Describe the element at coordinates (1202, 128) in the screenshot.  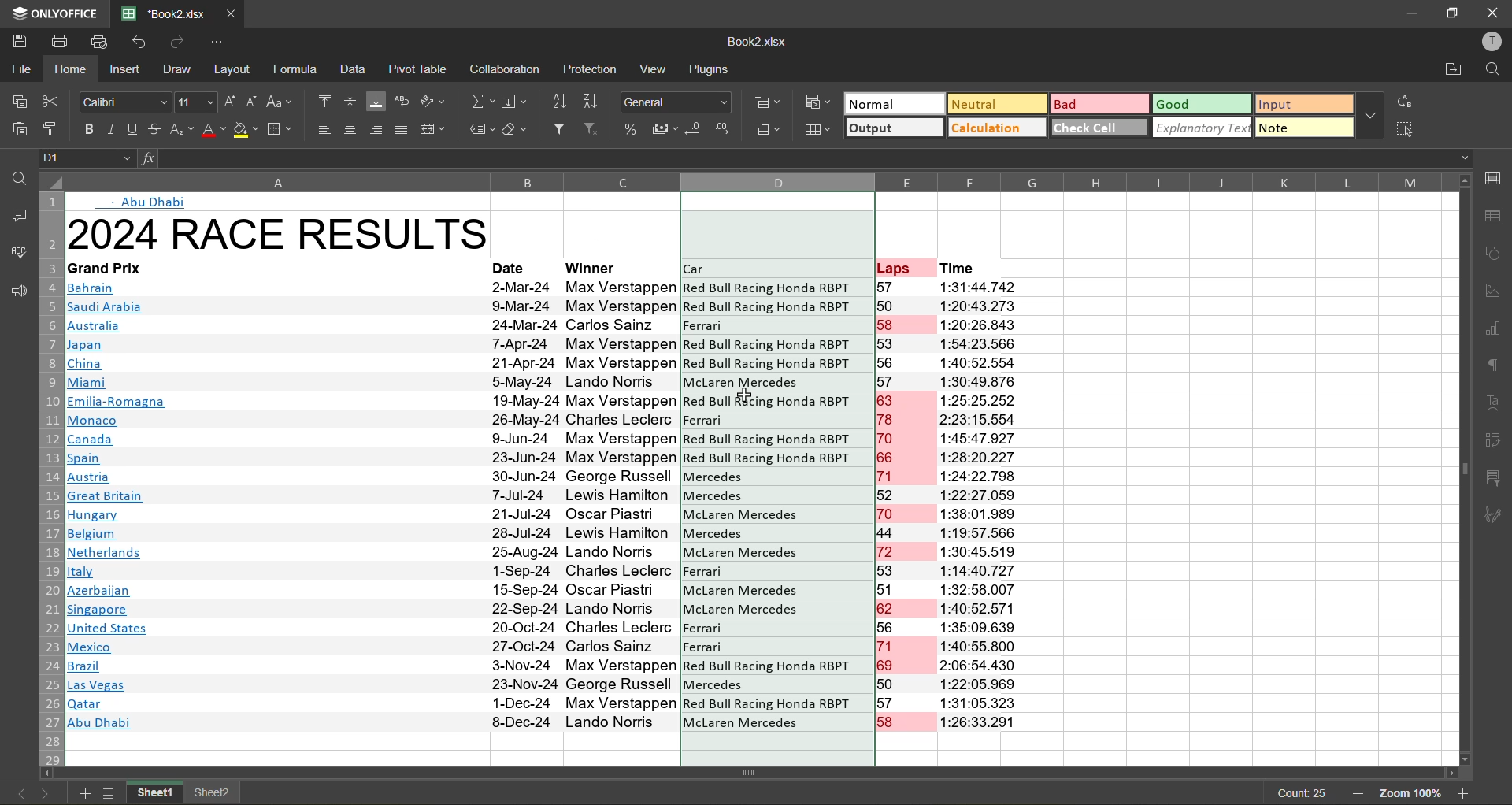
I see `explanatory text` at that location.